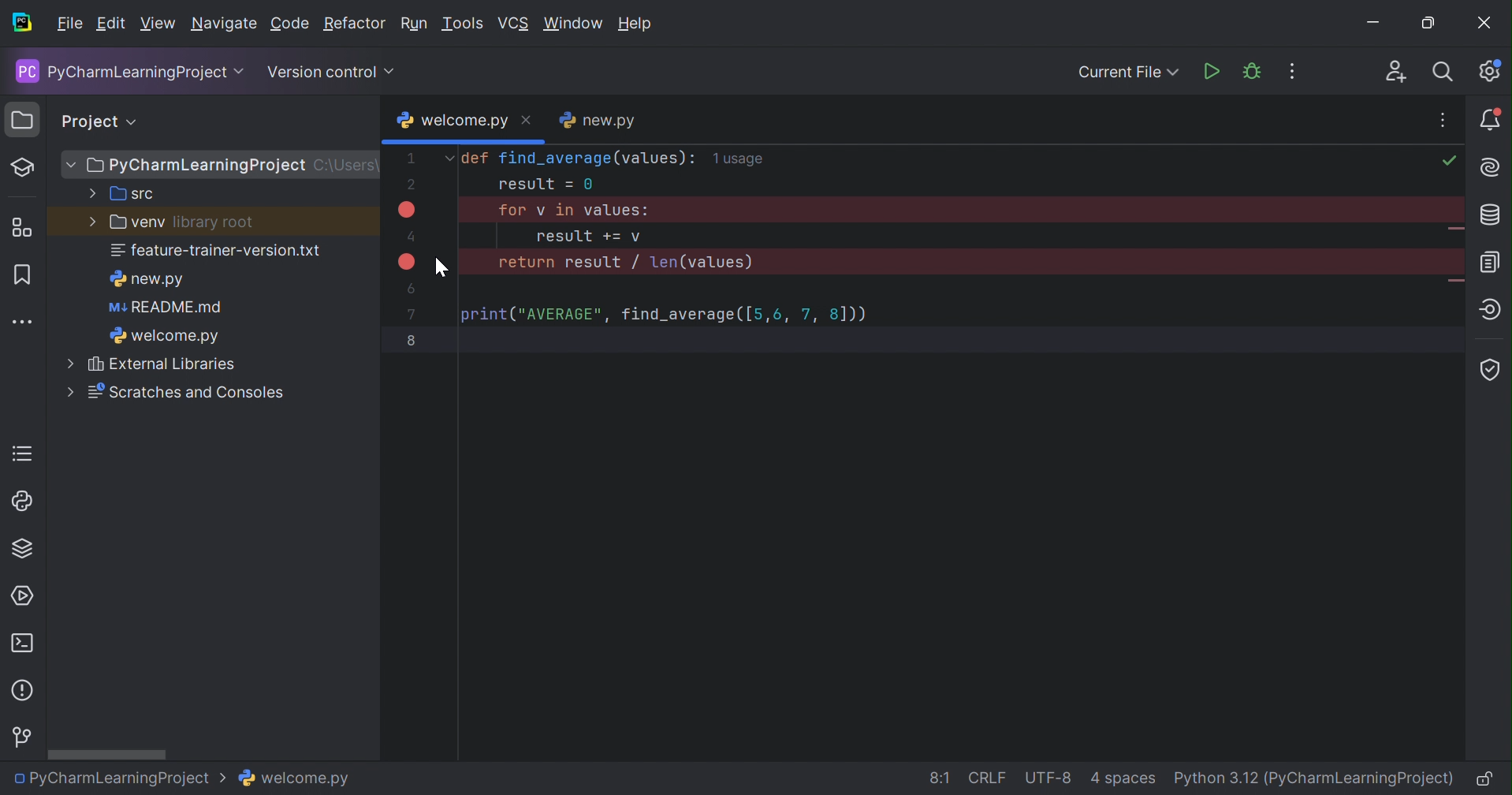 This screenshot has height=795, width=1512. What do you see at coordinates (23, 224) in the screenshot?
I see `Structure` at bounding box center [23, 224].